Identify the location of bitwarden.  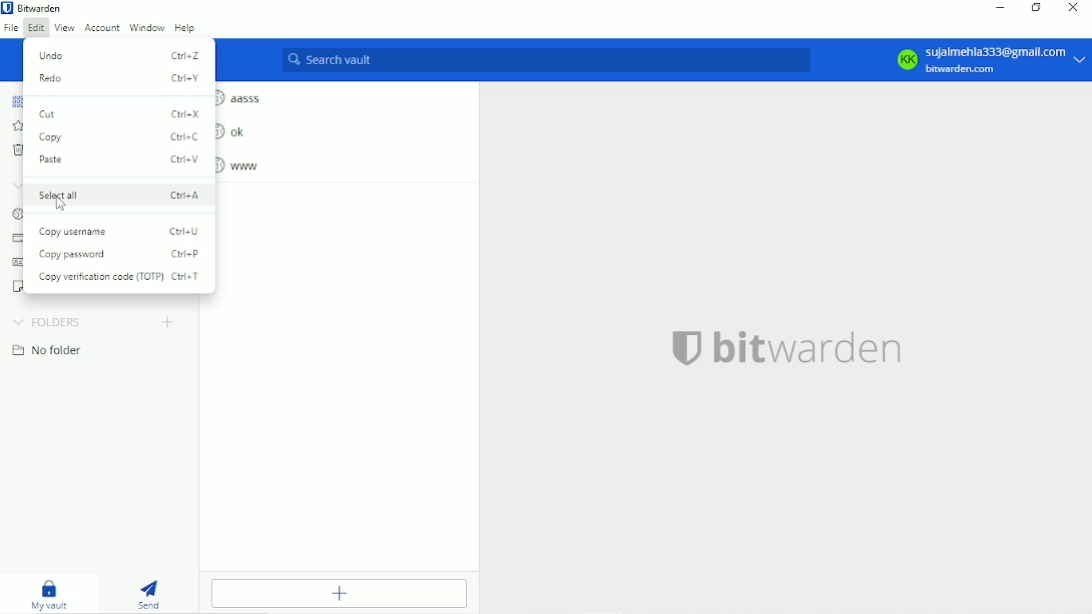
(786, 346).